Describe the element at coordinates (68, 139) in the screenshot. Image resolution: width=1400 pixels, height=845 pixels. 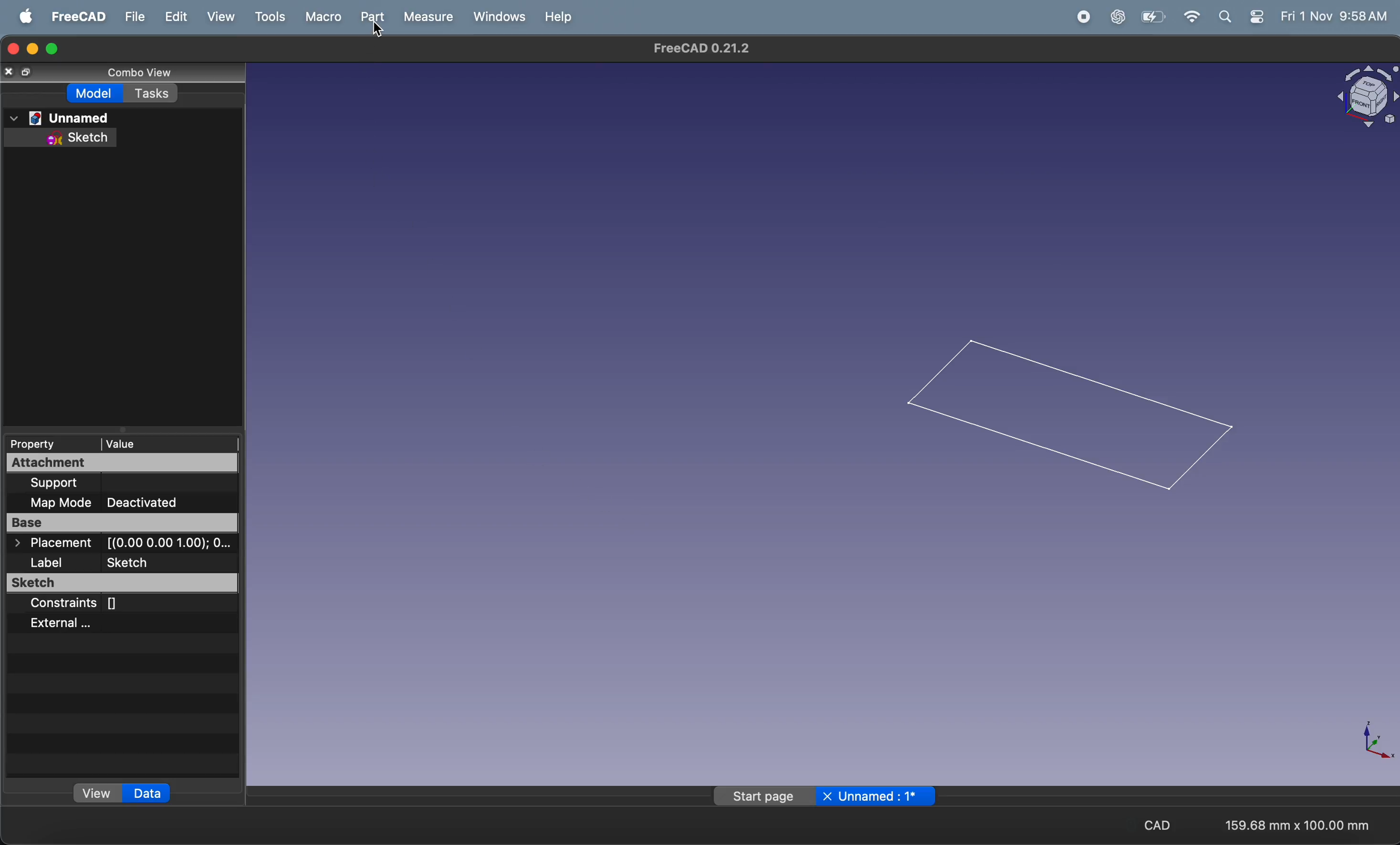
I see `sketch` at that location.